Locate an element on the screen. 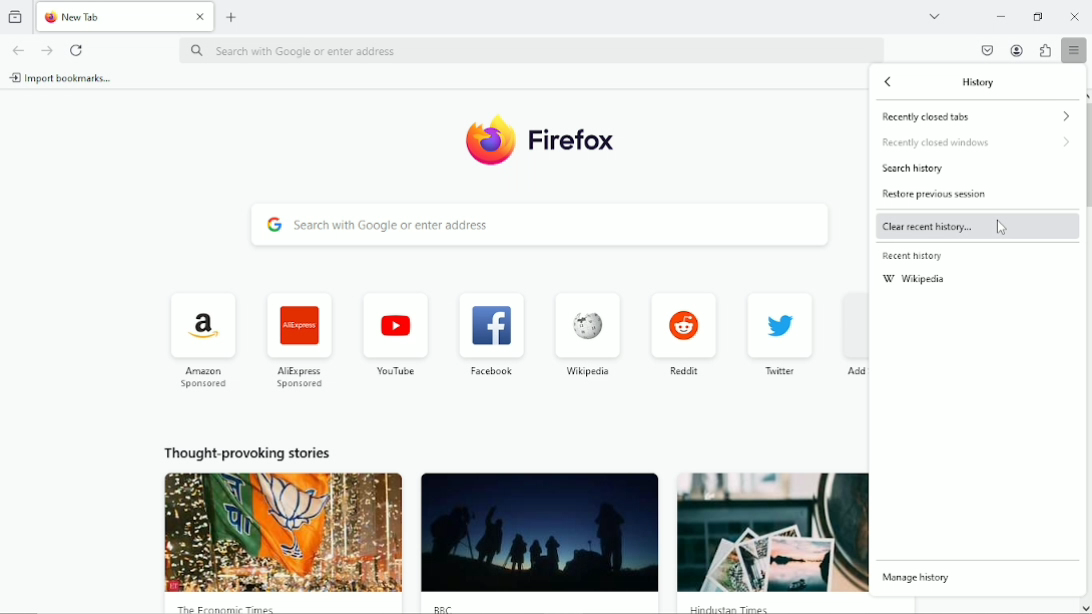  scroll down is located at coordinates (1085, 607).